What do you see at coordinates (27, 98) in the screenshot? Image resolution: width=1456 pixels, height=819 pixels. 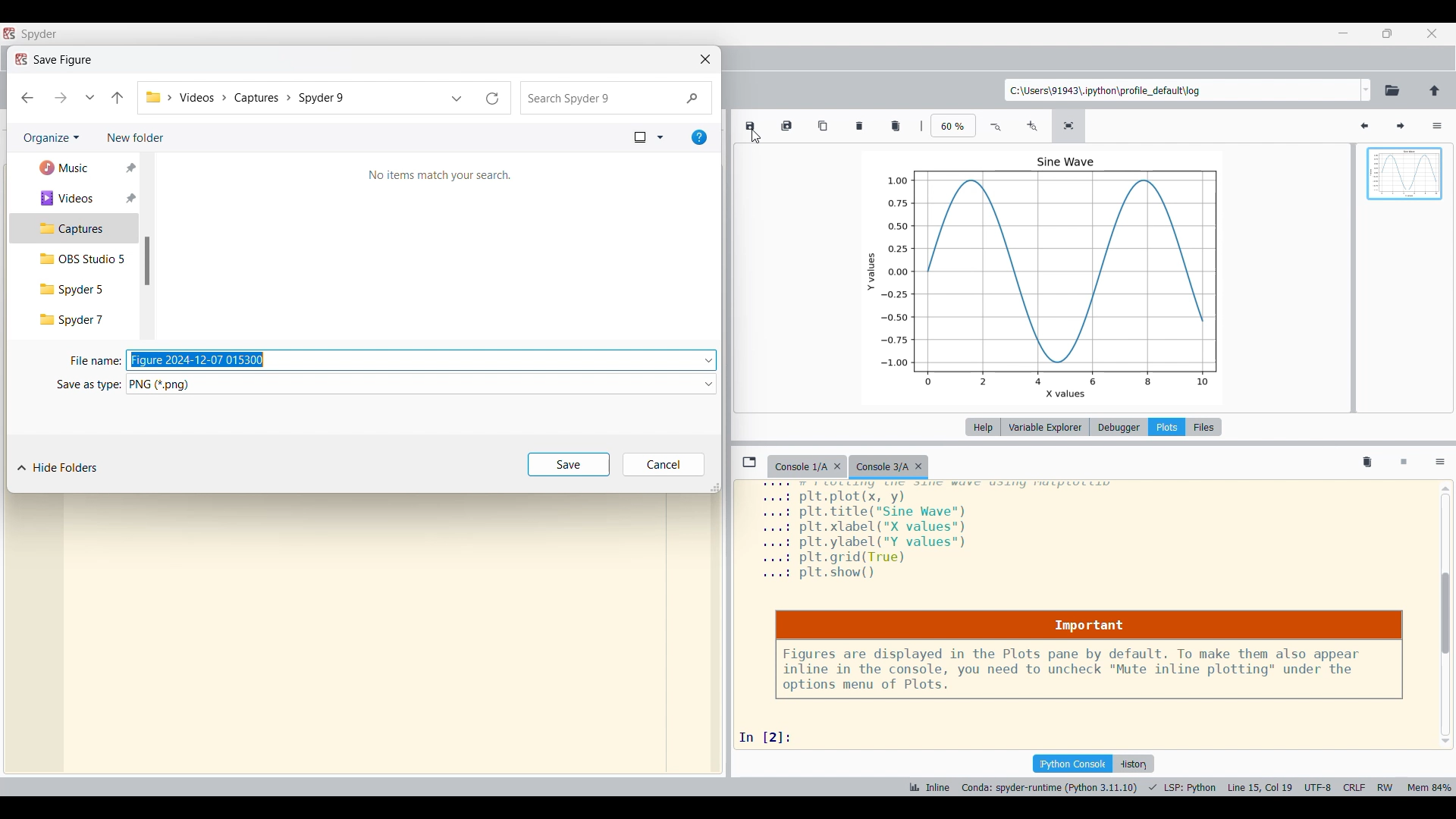 I see `Back` at bounding box center [27, 98].